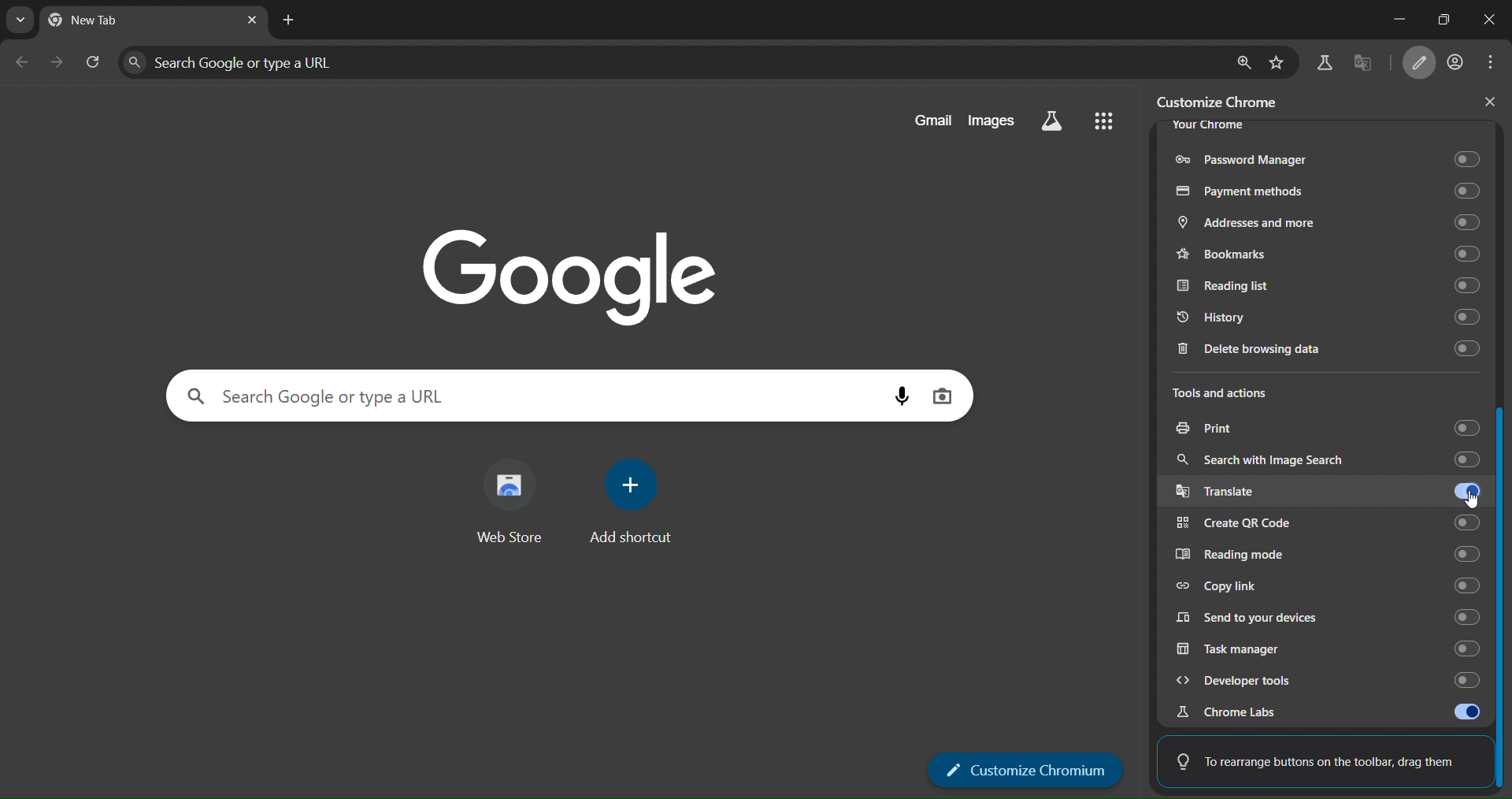 This screenshot has width=1512, height=799. What do you see at coordinates (1325, 552) in the screenshot?
I see `reading mode` at bounding box center [1325, 552].